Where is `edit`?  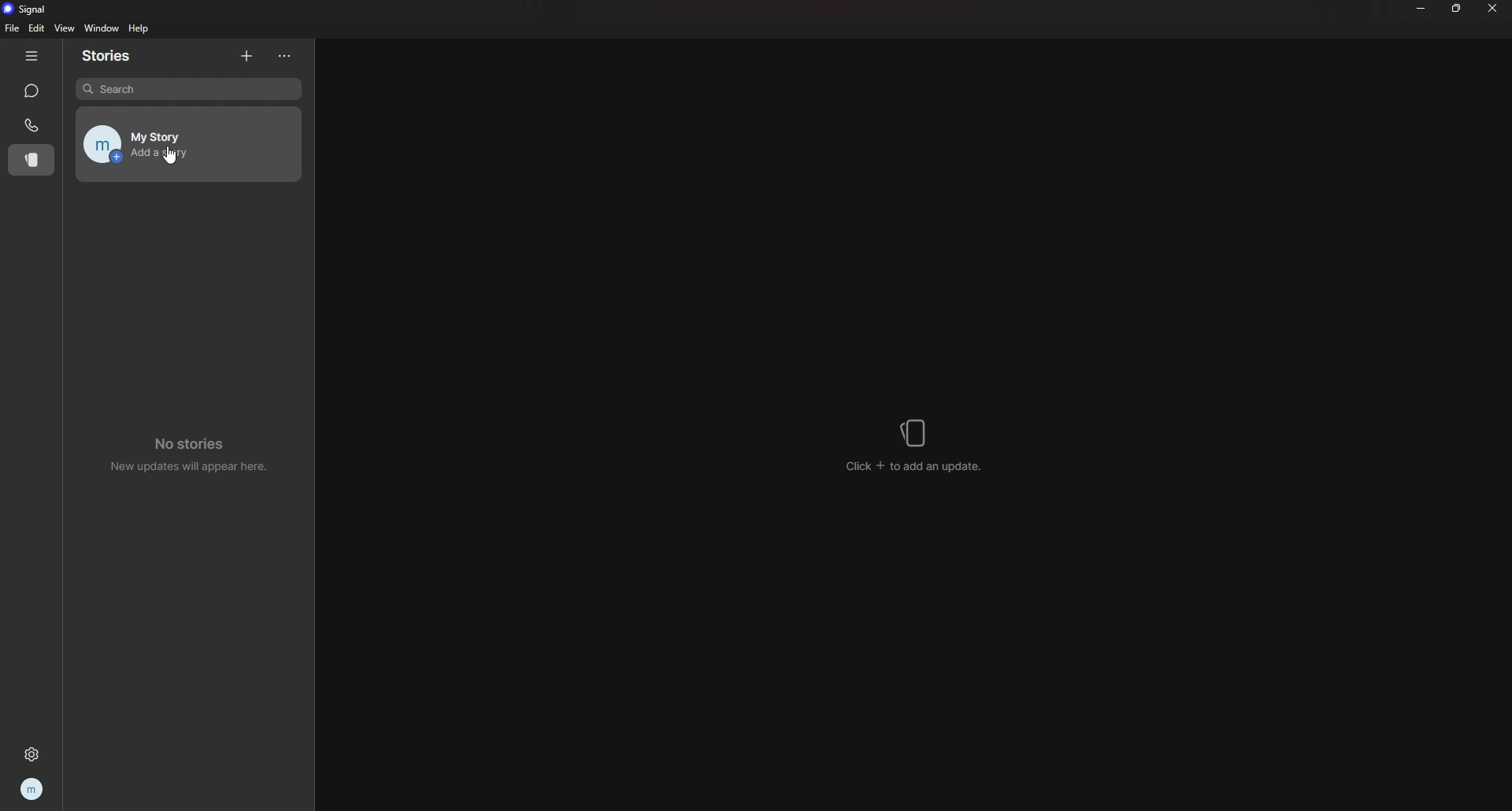
edit is located at coordinates (37, 28).